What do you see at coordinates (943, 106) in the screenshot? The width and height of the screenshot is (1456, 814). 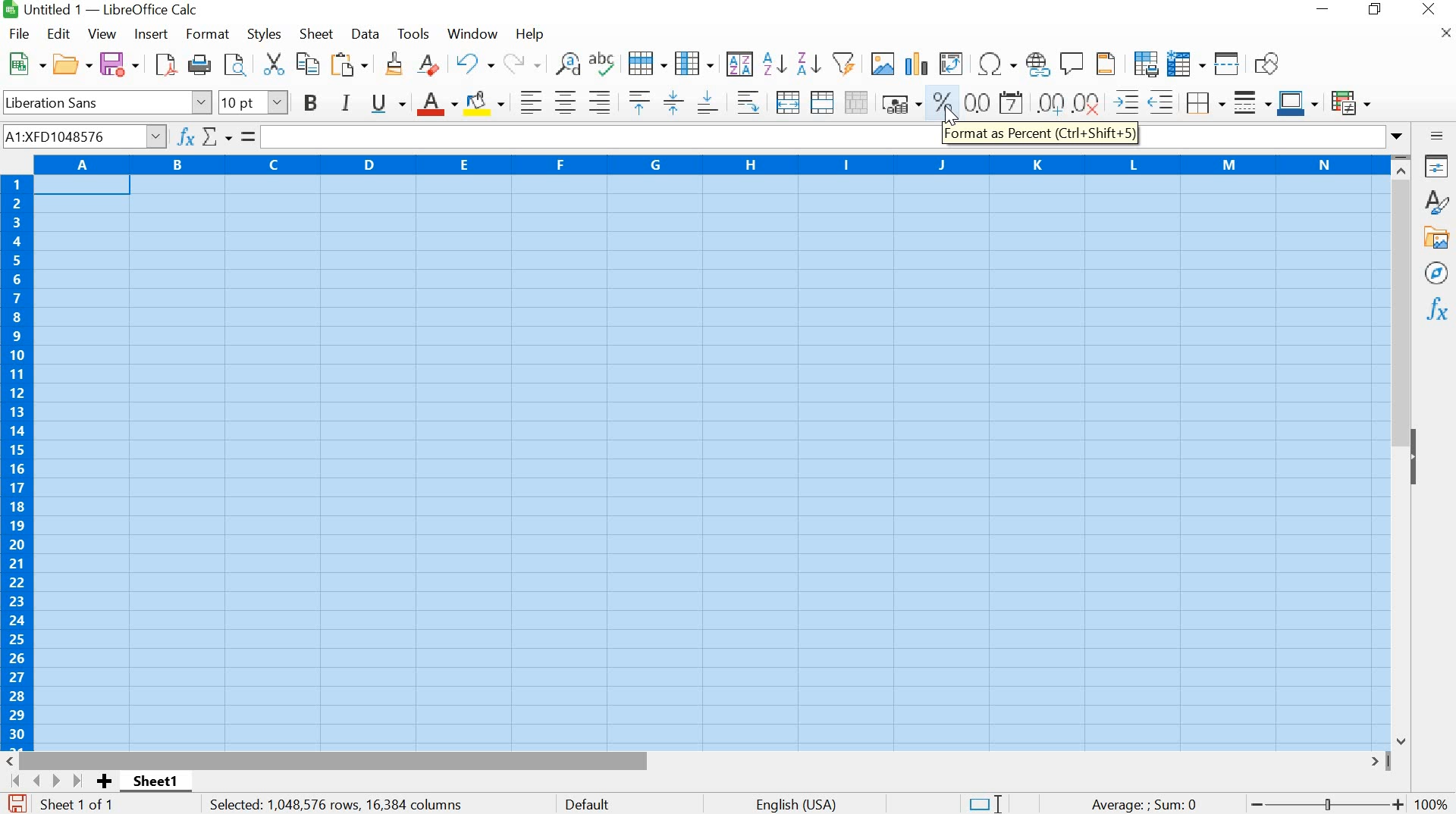 I see `FORMAT AS PERCENT` at bounding box center [943, 106].